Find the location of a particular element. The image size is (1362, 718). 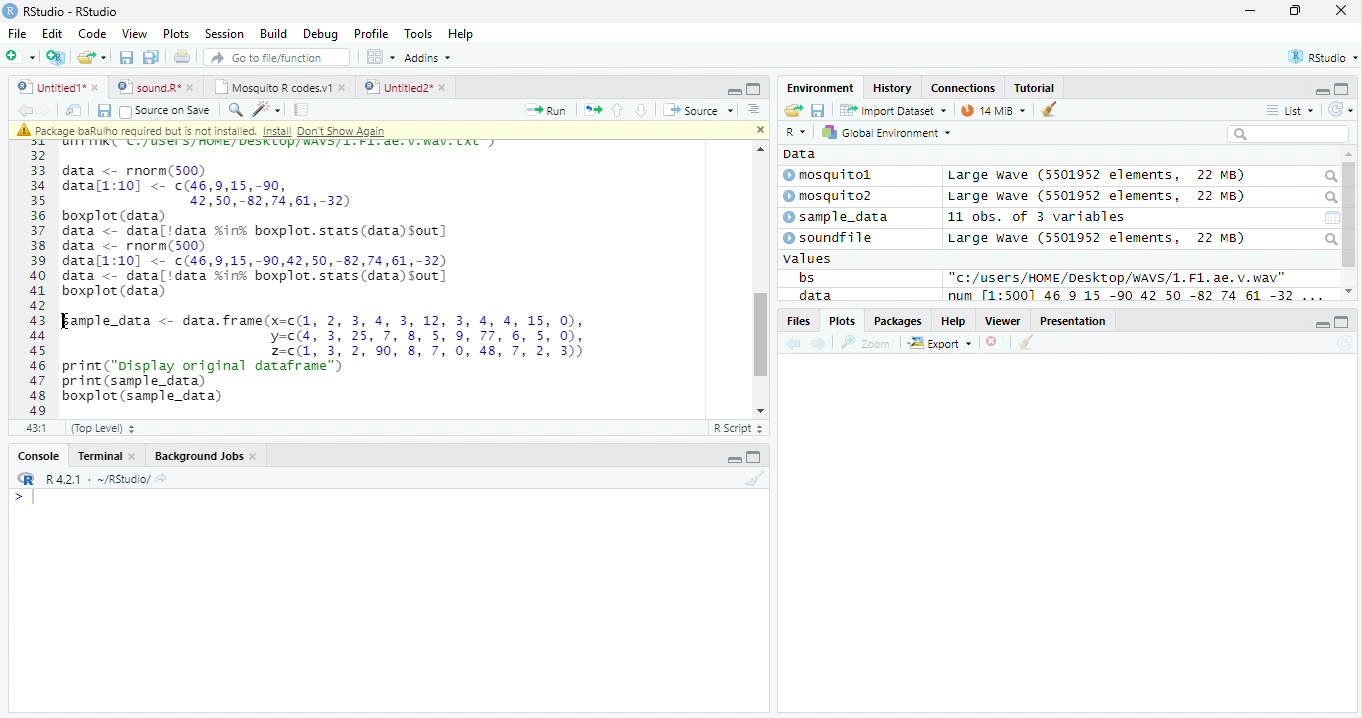

Connections is located at coordinates (964, 87).